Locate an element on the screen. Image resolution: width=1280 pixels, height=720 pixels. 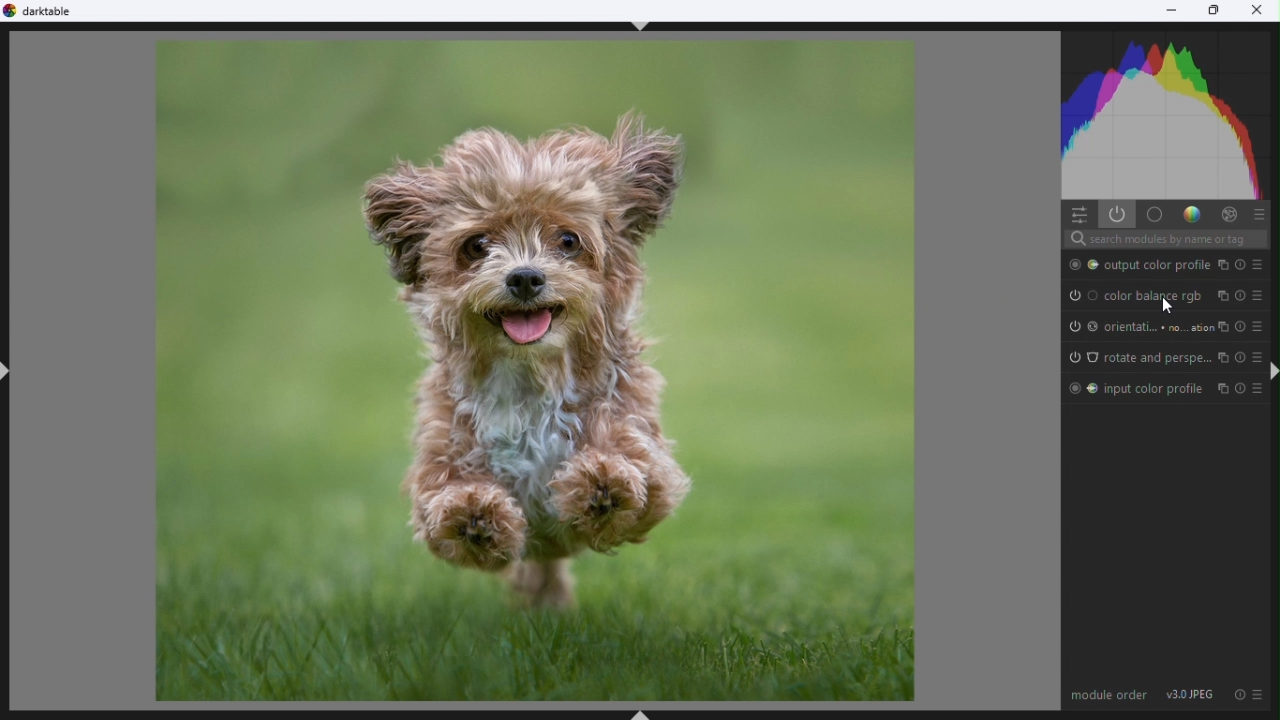
Close close is located at coordinates (1260, 10).